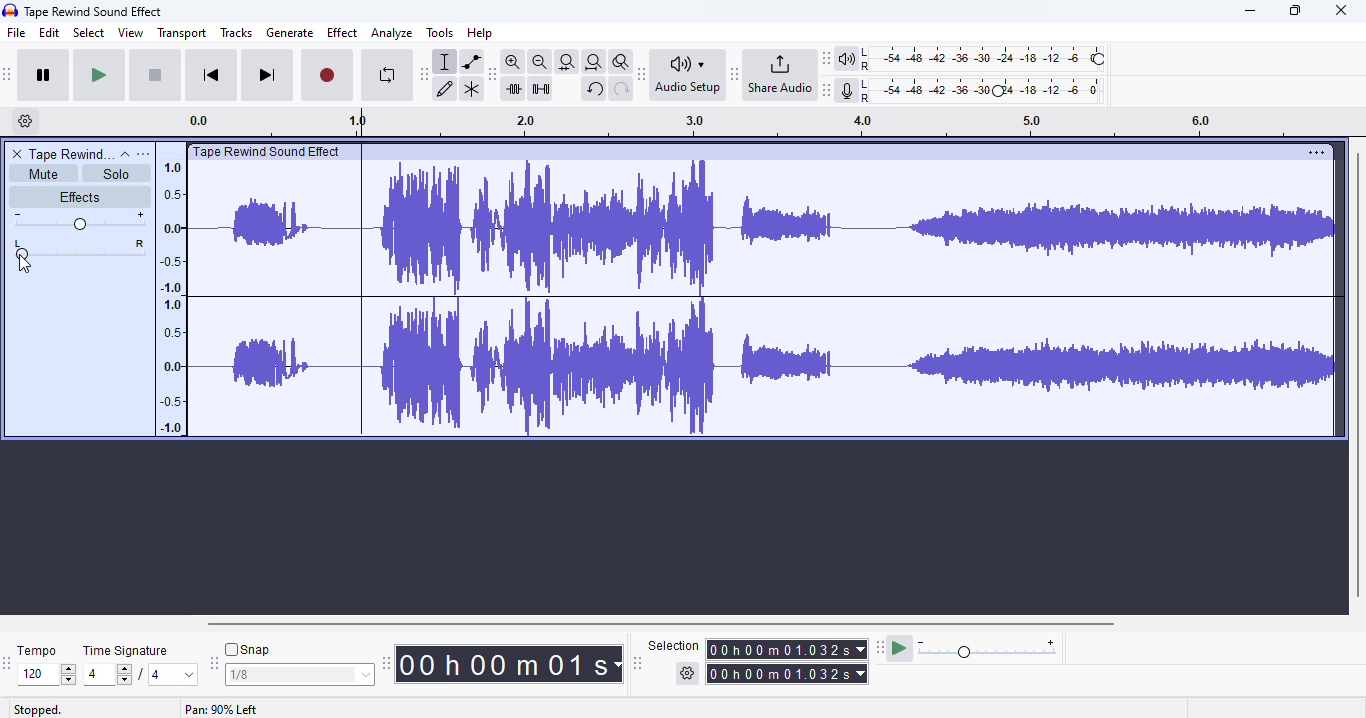 Image resolution: width=1366 pixels, height=718 pixels. I want to click on audacity time , so click(508, 665).